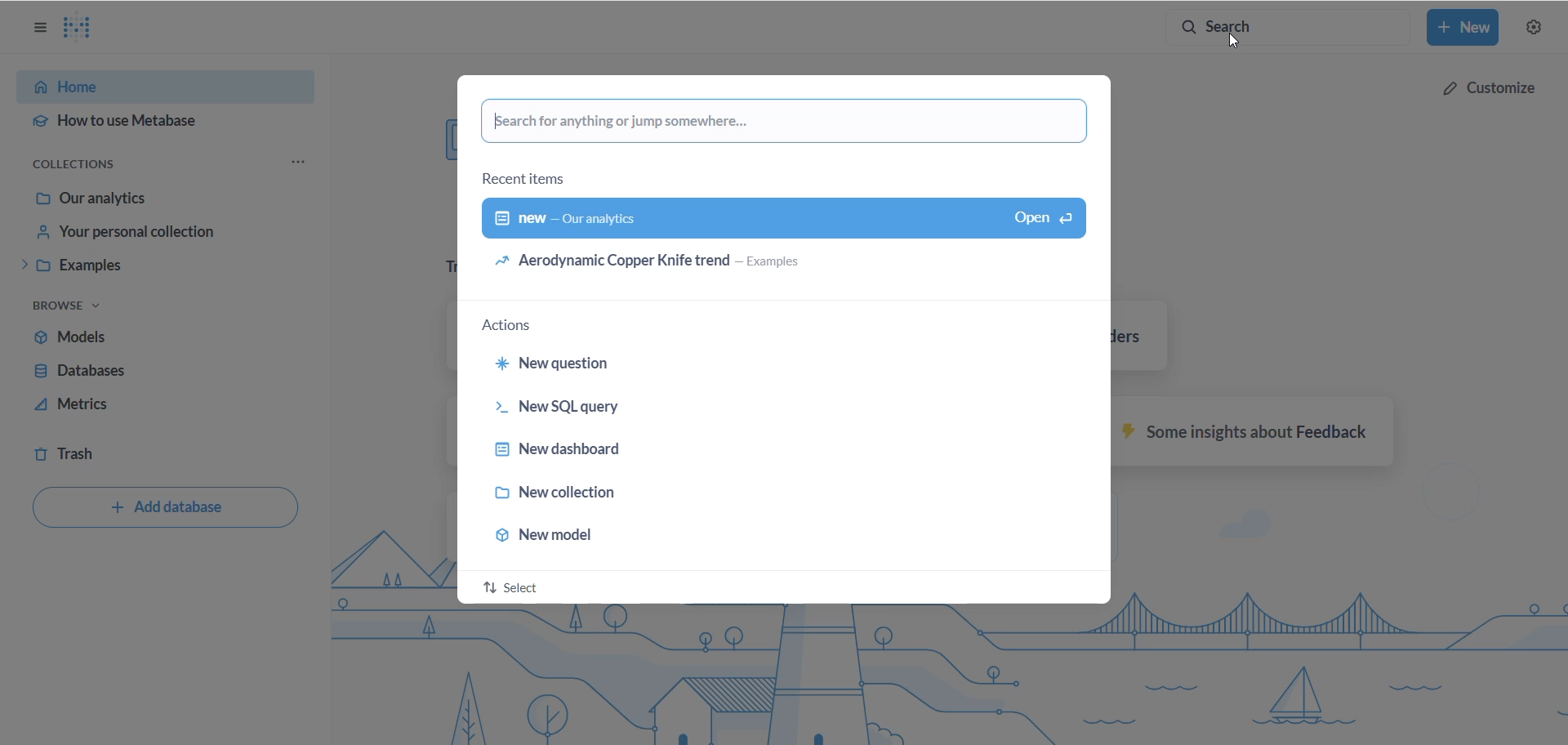  I want to click on COLLECTION OPTIONS, so click(301, 161).